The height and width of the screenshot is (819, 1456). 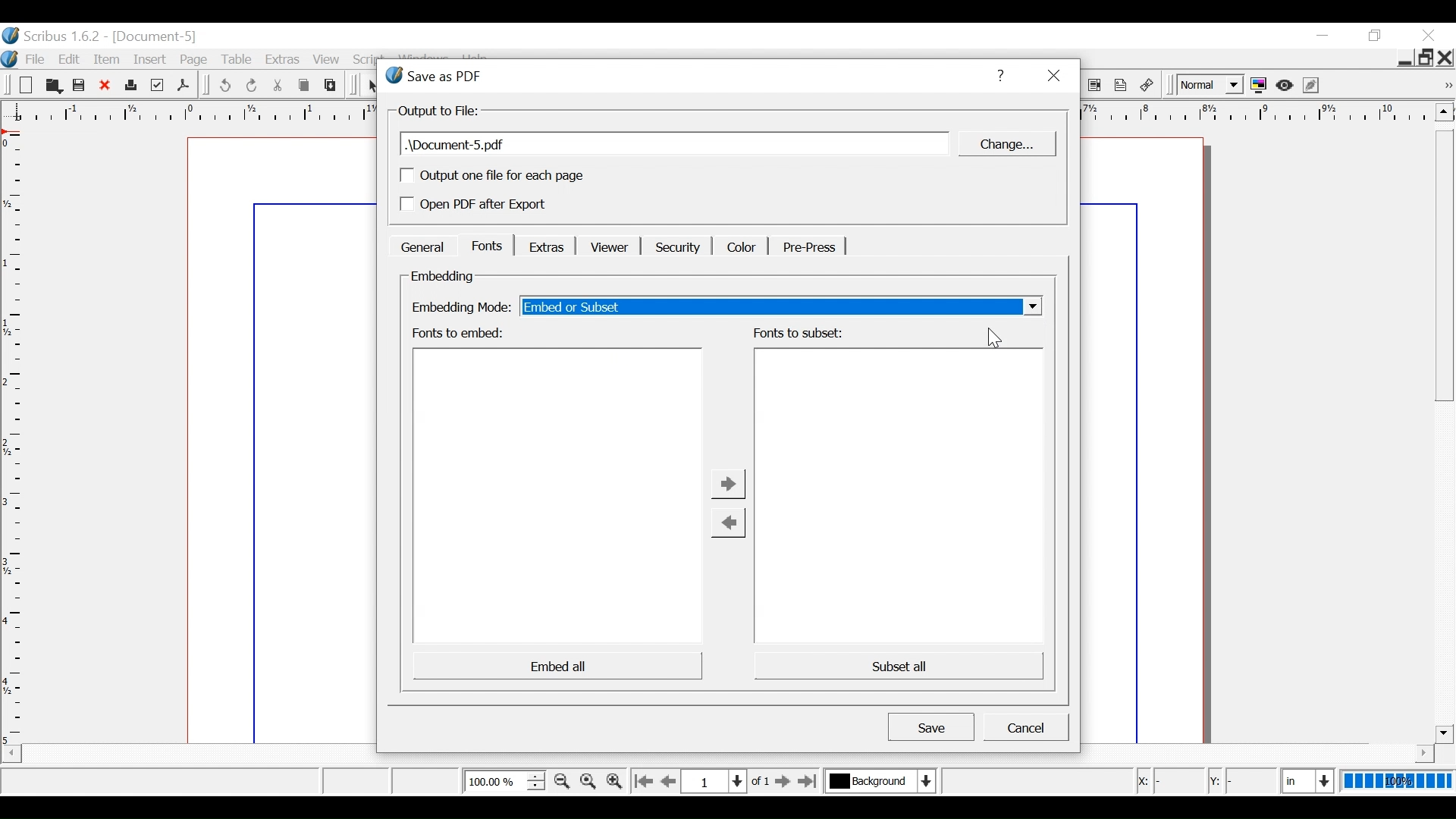 What do you see at coordinates (730, 483) in the screenshot?
I see `Change to` at bounding box center [730, 483].